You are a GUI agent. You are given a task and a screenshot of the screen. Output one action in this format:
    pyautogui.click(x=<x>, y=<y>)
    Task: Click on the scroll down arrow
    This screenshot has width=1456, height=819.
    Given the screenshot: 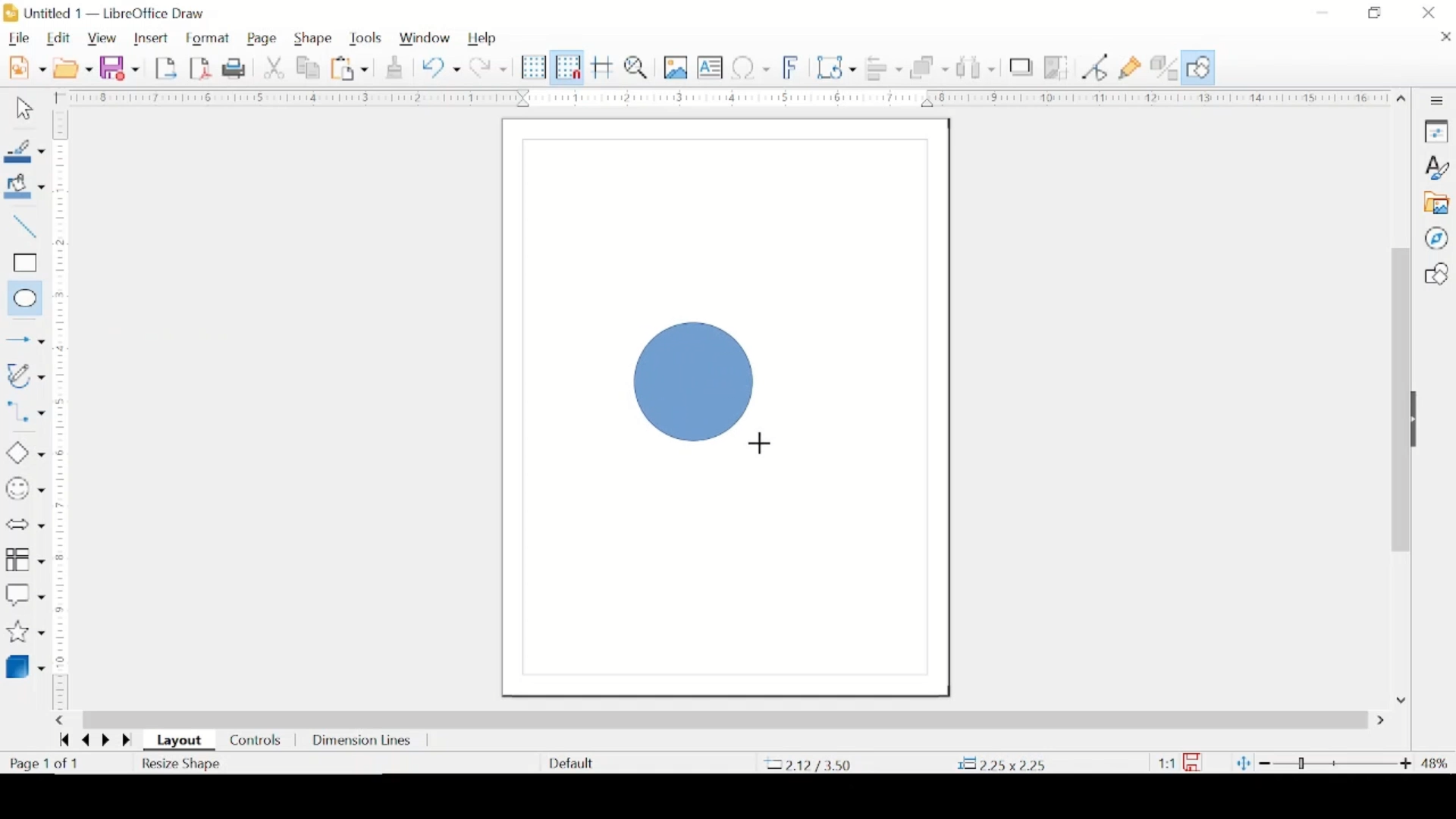 What is the action you would take?
    pyautogui.click(x=1398, y=700)
    